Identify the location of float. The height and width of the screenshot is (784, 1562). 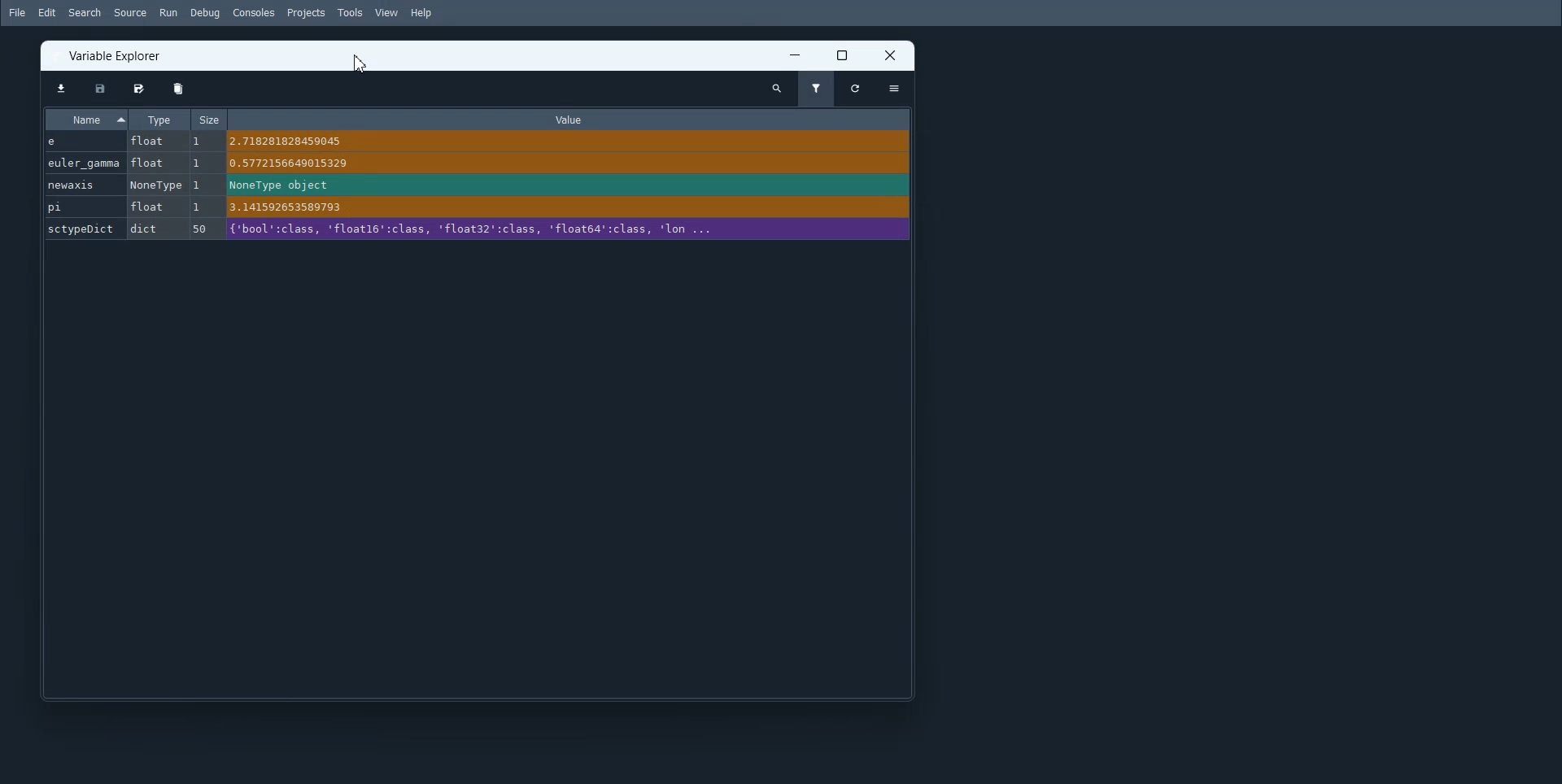
(153, 163).